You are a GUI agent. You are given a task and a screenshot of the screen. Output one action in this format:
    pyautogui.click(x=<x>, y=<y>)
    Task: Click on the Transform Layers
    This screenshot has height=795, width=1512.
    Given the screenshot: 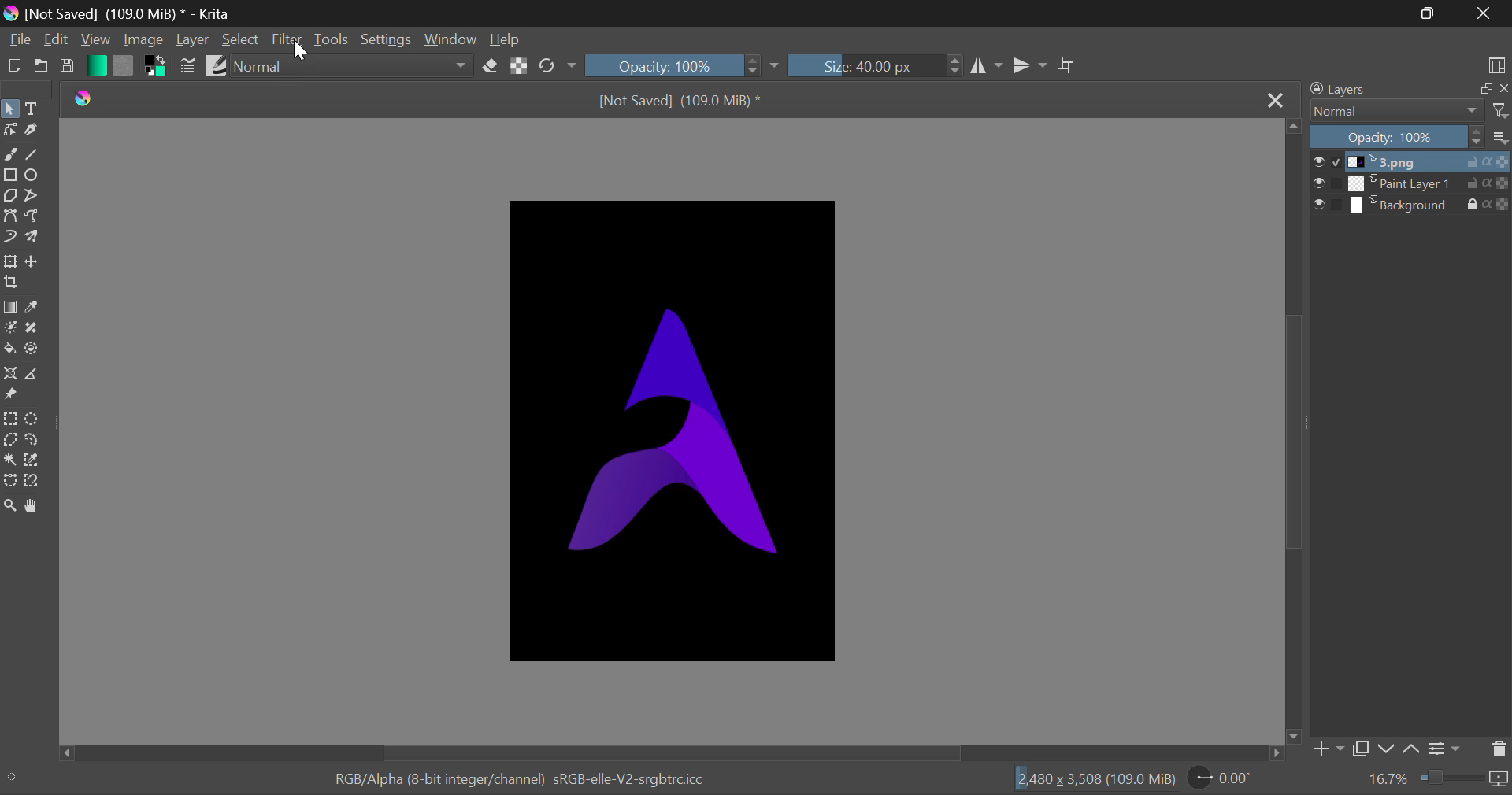 What is the action you would take?
    pyautogui.click(x=10, y=262)
    